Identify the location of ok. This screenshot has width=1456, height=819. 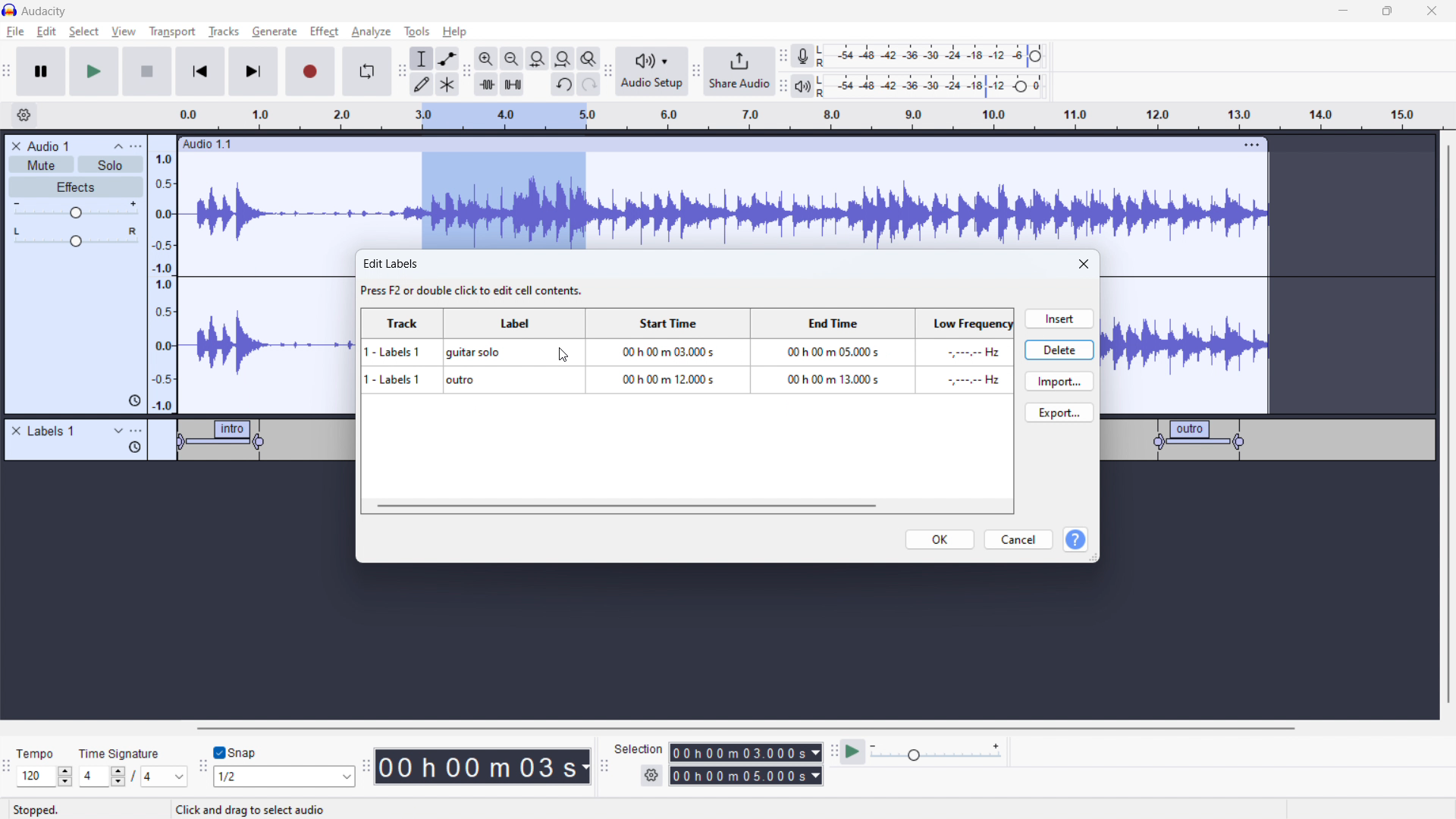
(940, 539).